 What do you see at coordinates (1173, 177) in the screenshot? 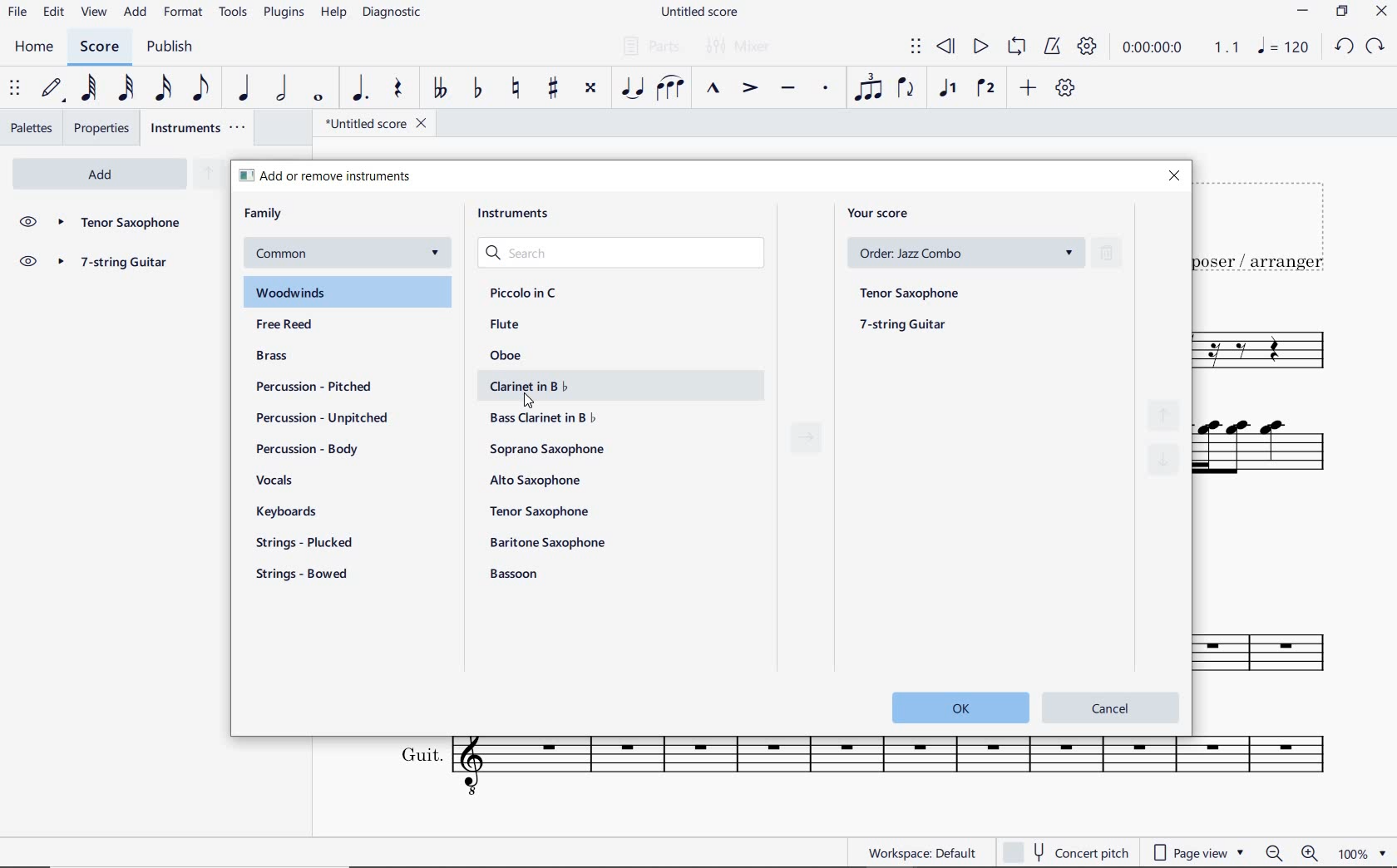
I see `close` at bounding box center [1173, 177].